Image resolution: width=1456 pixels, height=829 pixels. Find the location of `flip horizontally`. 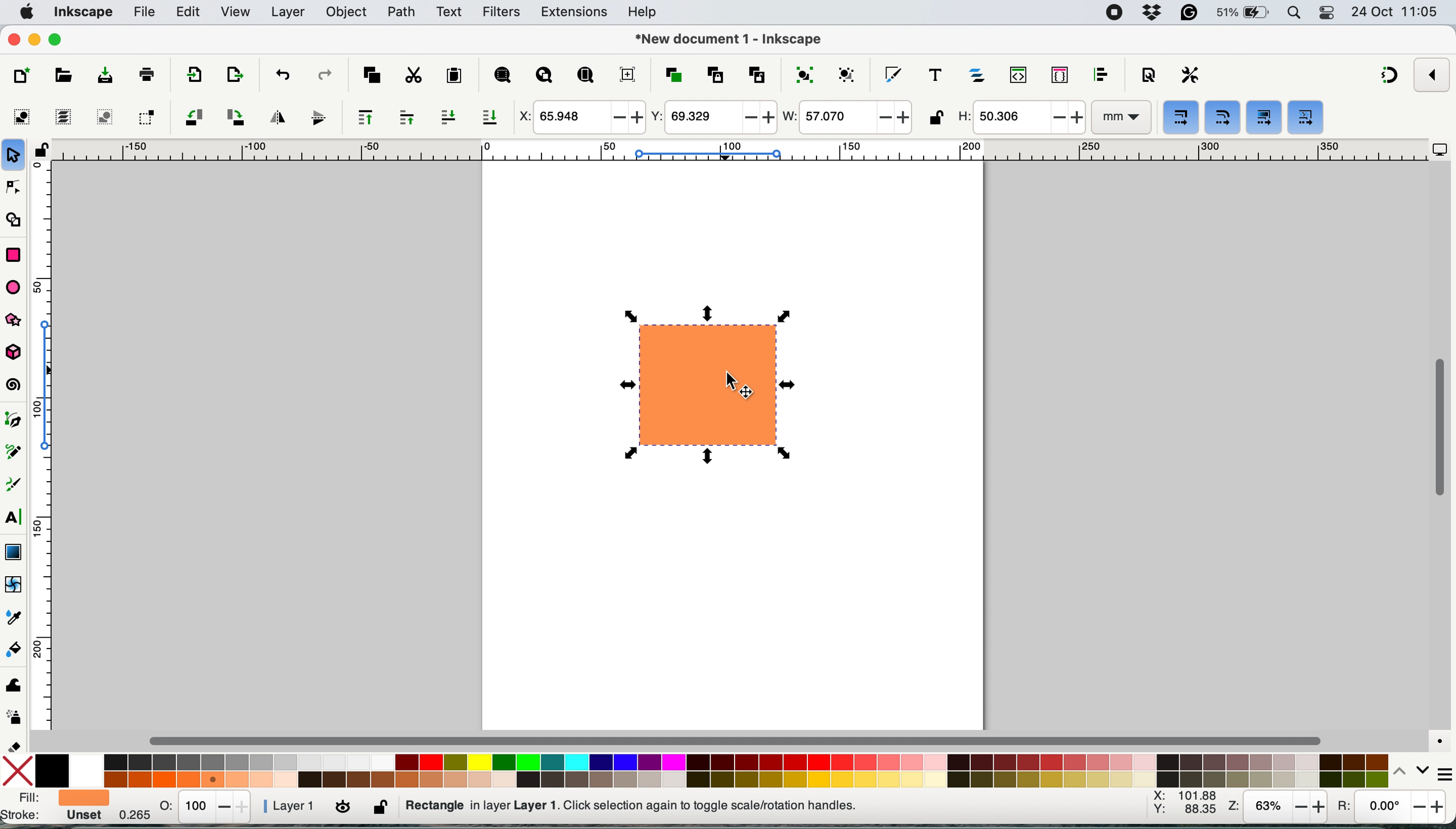

flip horizontally is located at coordinates (275, 116).